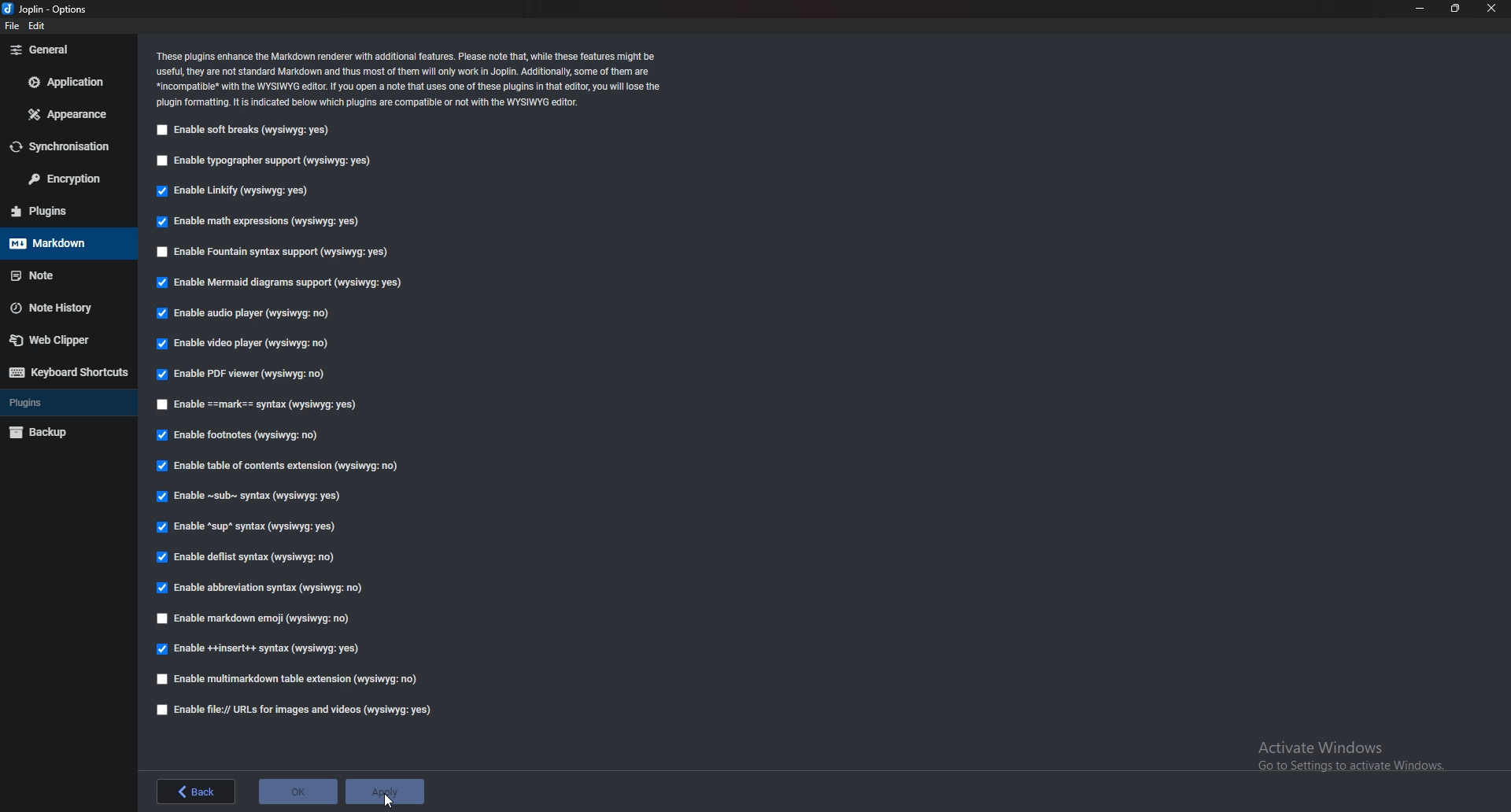  What do you see at coordinates (262, 222) in the screenshot?
I see `enable math expressions` at bounding box center [262, 222].